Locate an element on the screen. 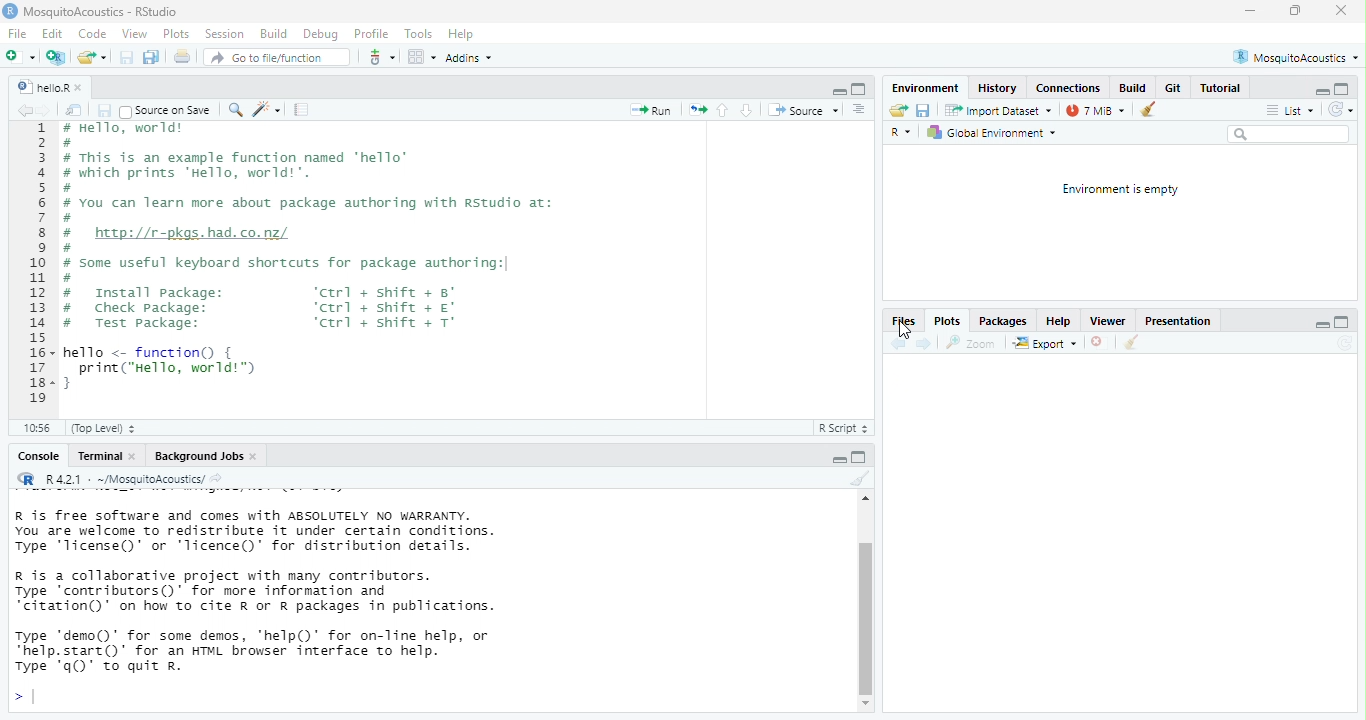 Image resolution: width=1366 pixels, height=720 pixels.  Global Environment  is located at coordinates (996, 134).